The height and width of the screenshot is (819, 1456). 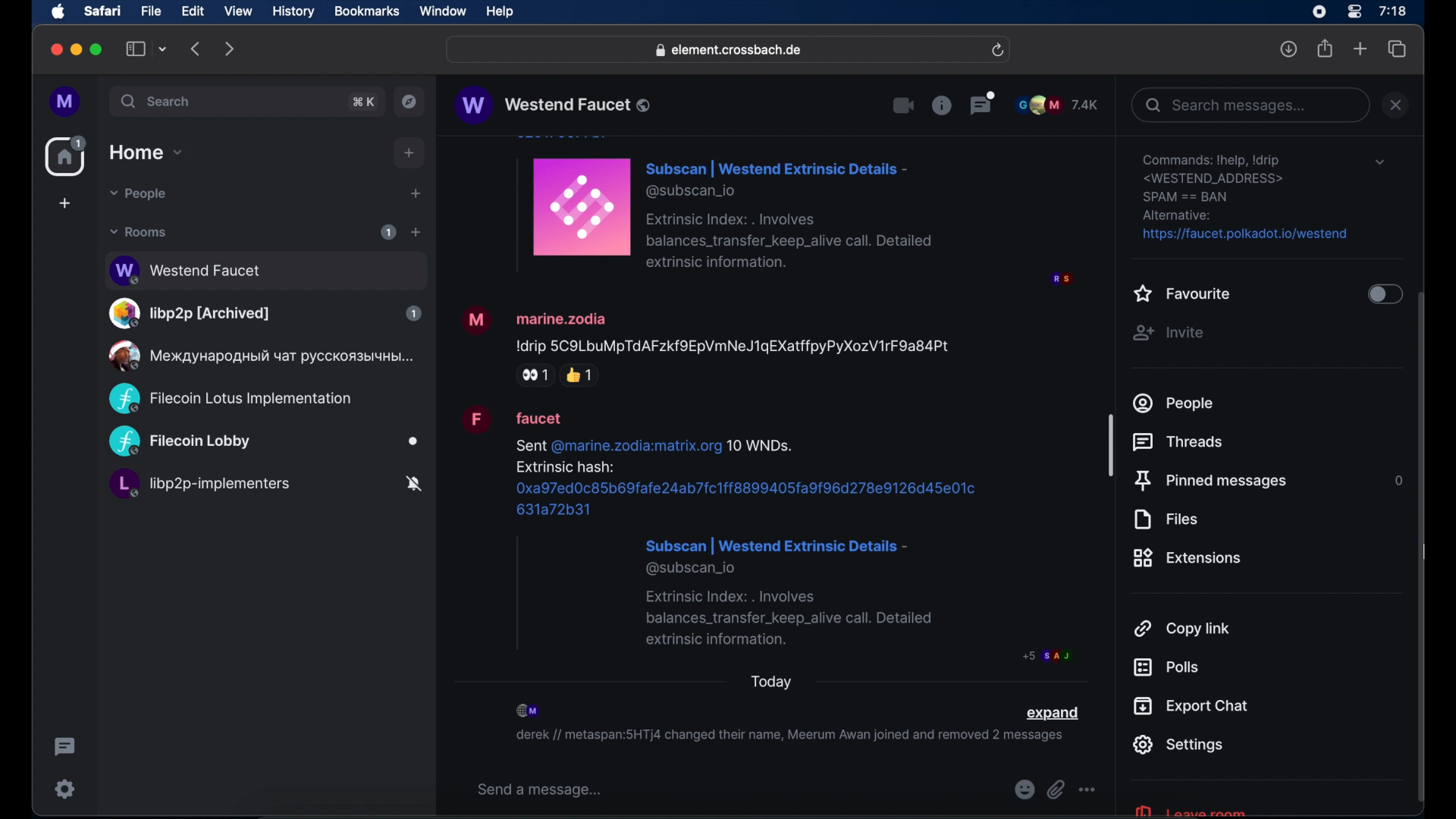 What do you see at coordinates (409, 153) in the screenshot?
I see `add` at bounding box center [409, 153].